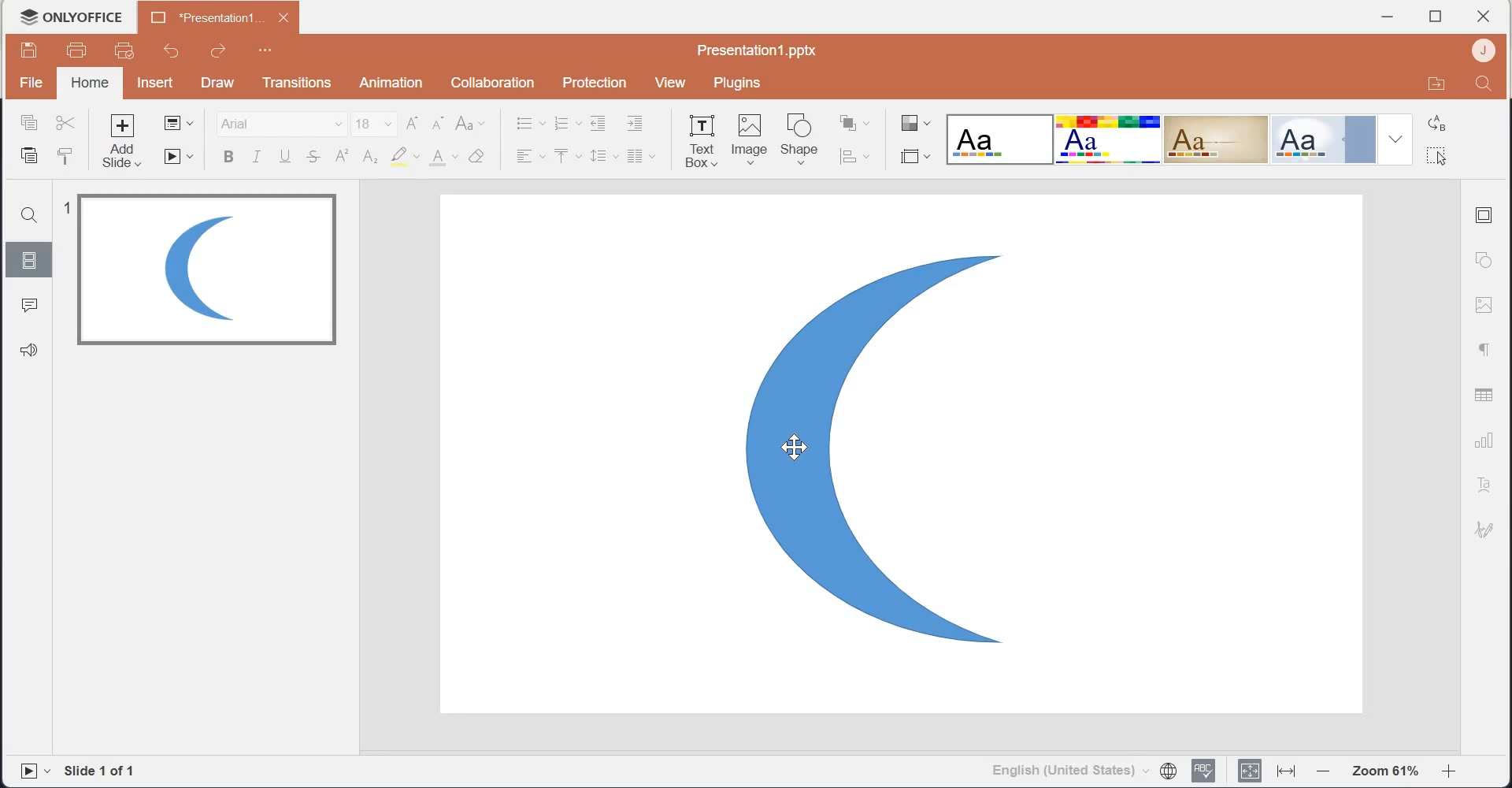 The height and width of the screenshot is (788, 1512). I want to click on Paragraph settings, so click(1484, 350).